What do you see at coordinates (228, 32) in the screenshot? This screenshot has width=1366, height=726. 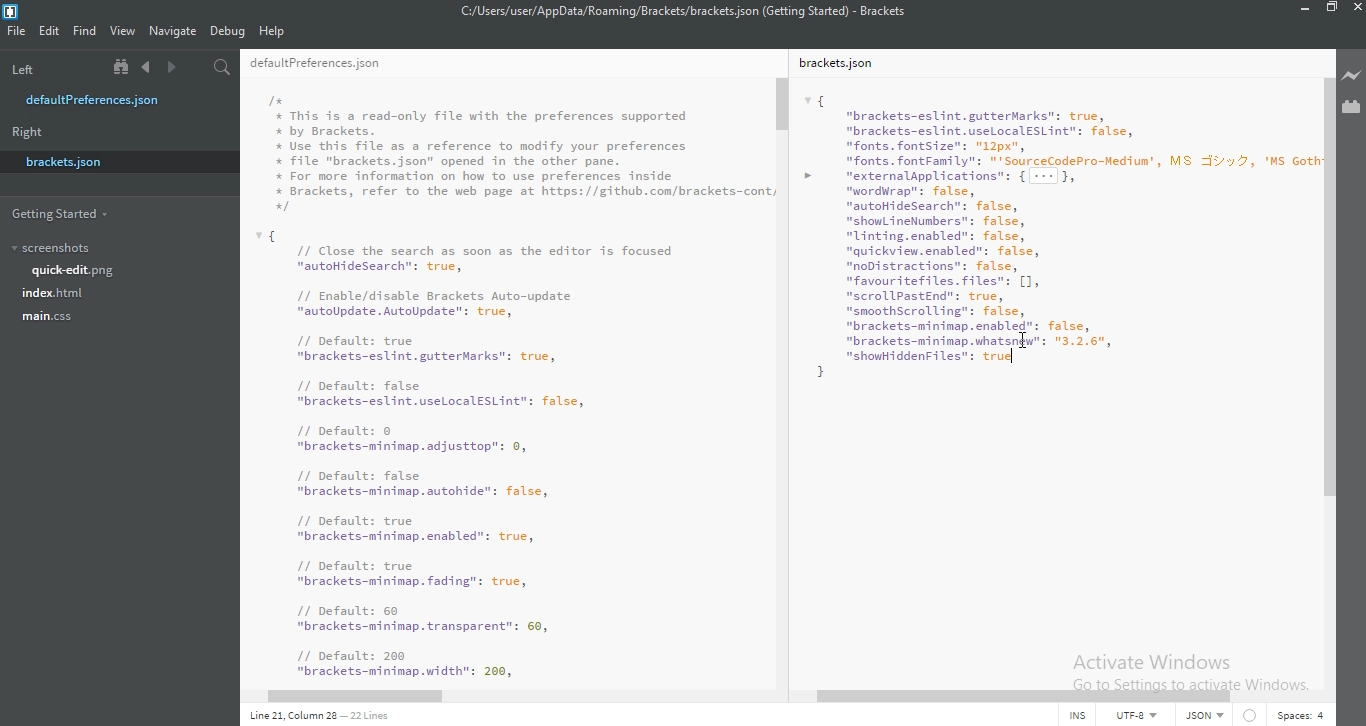 I see `Debug` at bounding box center [228, 32].